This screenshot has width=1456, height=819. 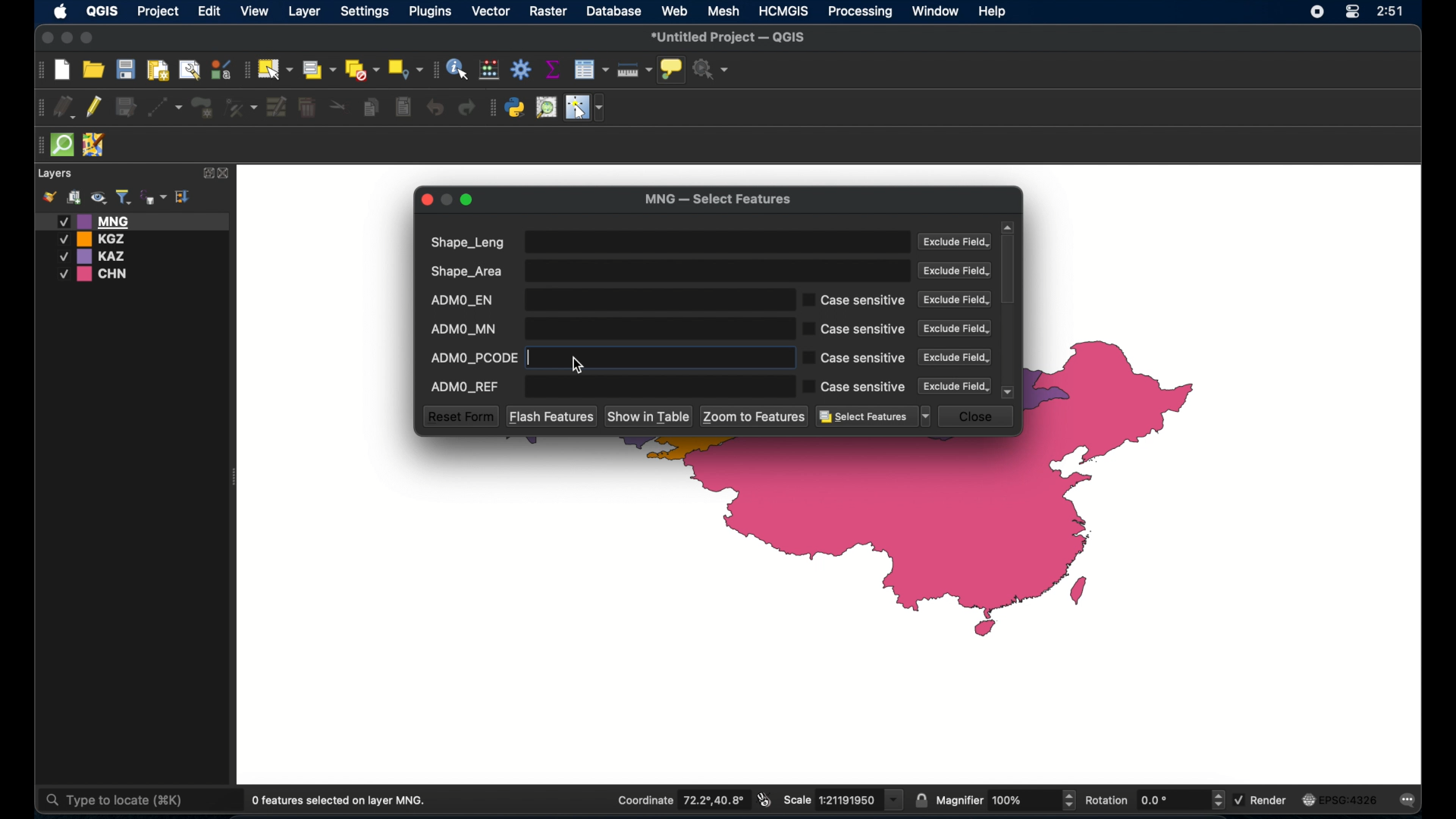 I want to click on toolbox, so click(x=521, y=69).